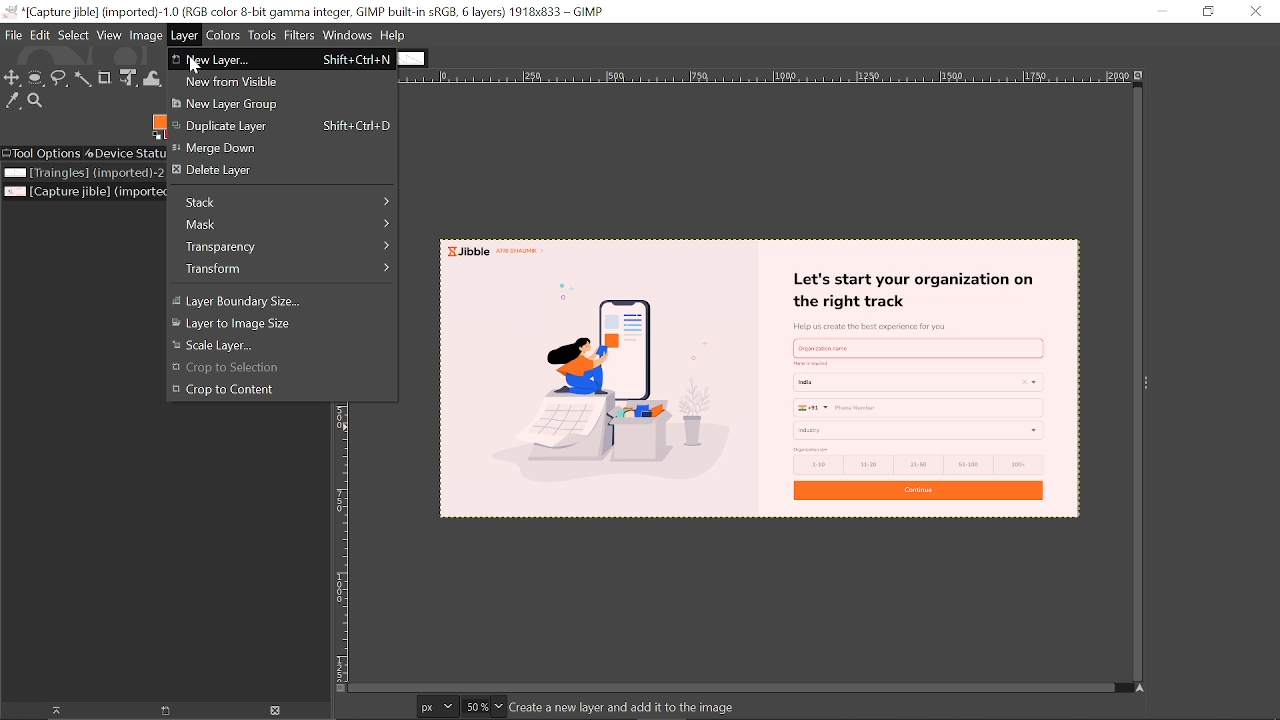 This screenshot has width=1280, height=720. Describe the element at coordinates (342, 545) in the screenshot. I see `Vertical label` at that location.